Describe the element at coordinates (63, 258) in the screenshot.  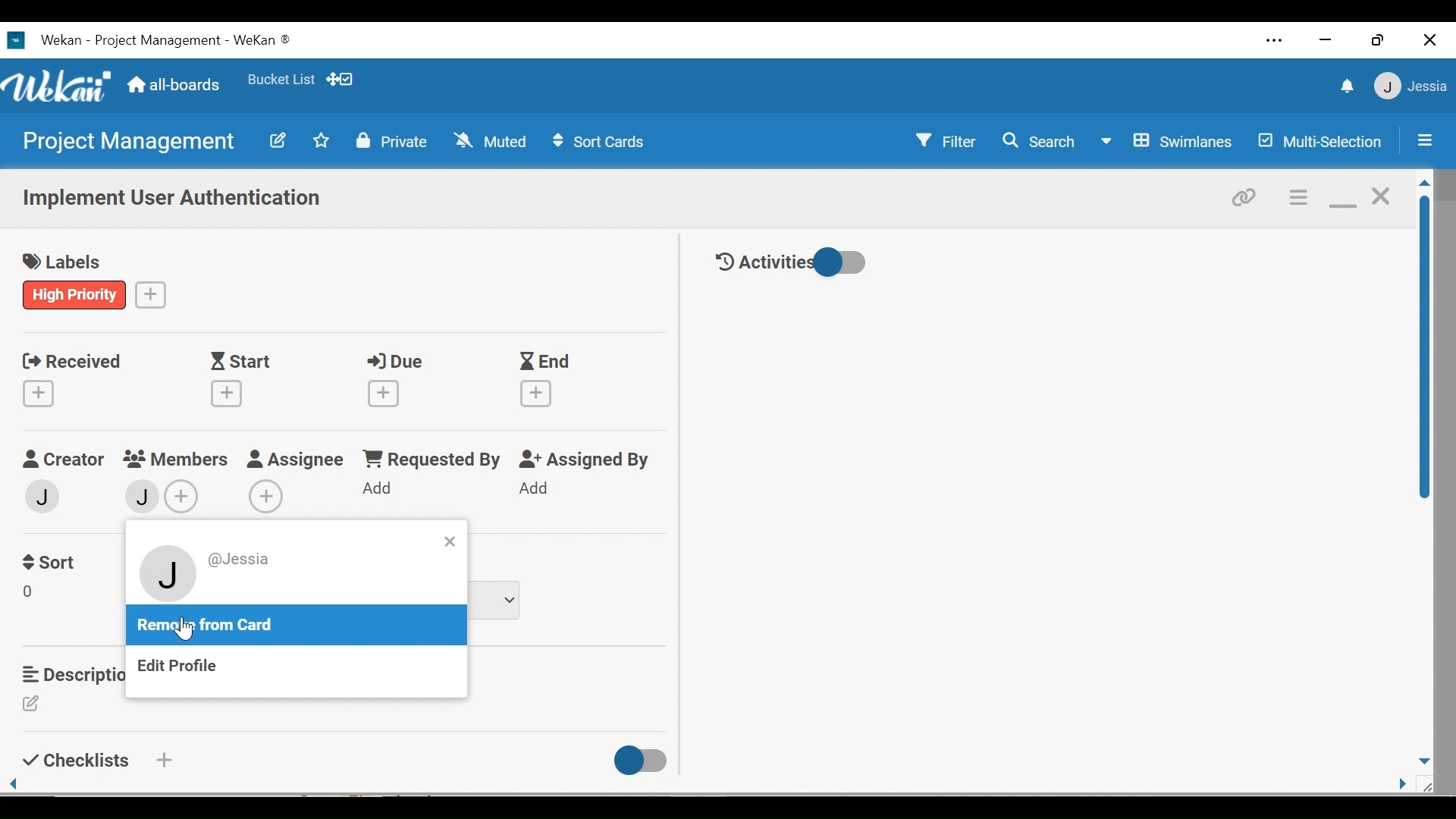
I see `Labels` at that location.